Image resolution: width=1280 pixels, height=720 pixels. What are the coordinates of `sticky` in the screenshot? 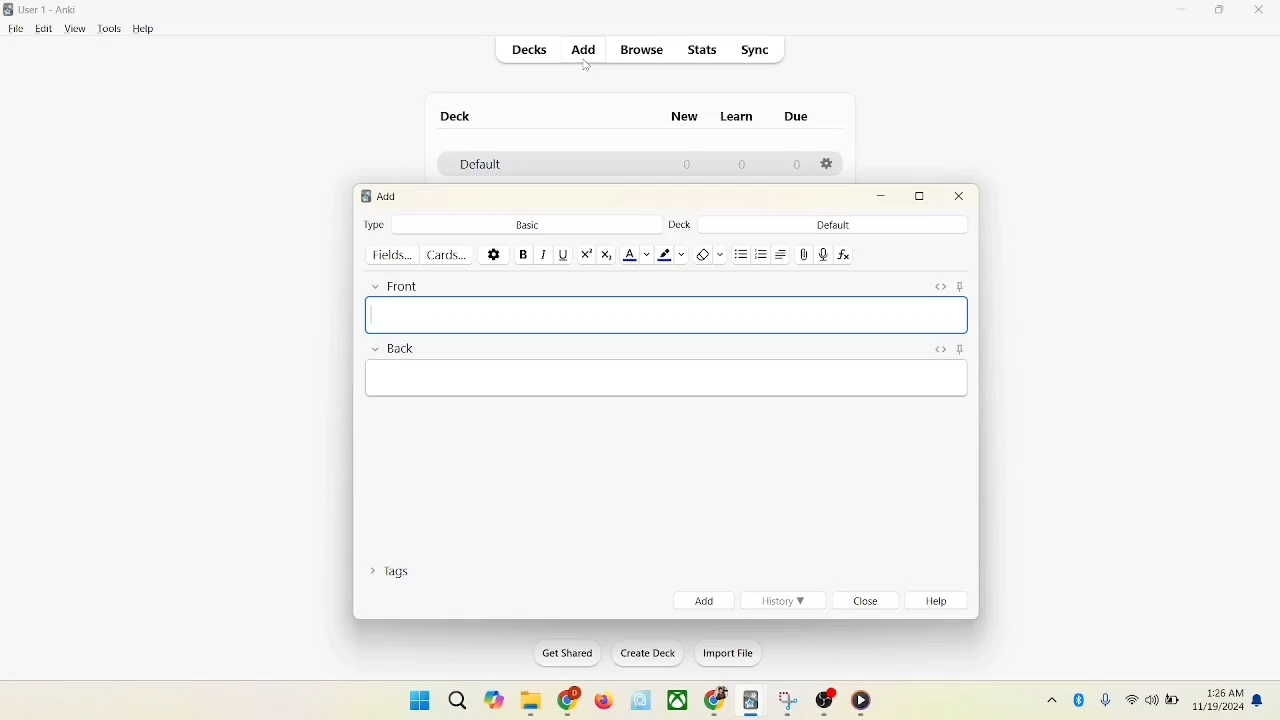 It's located at (959, 350).